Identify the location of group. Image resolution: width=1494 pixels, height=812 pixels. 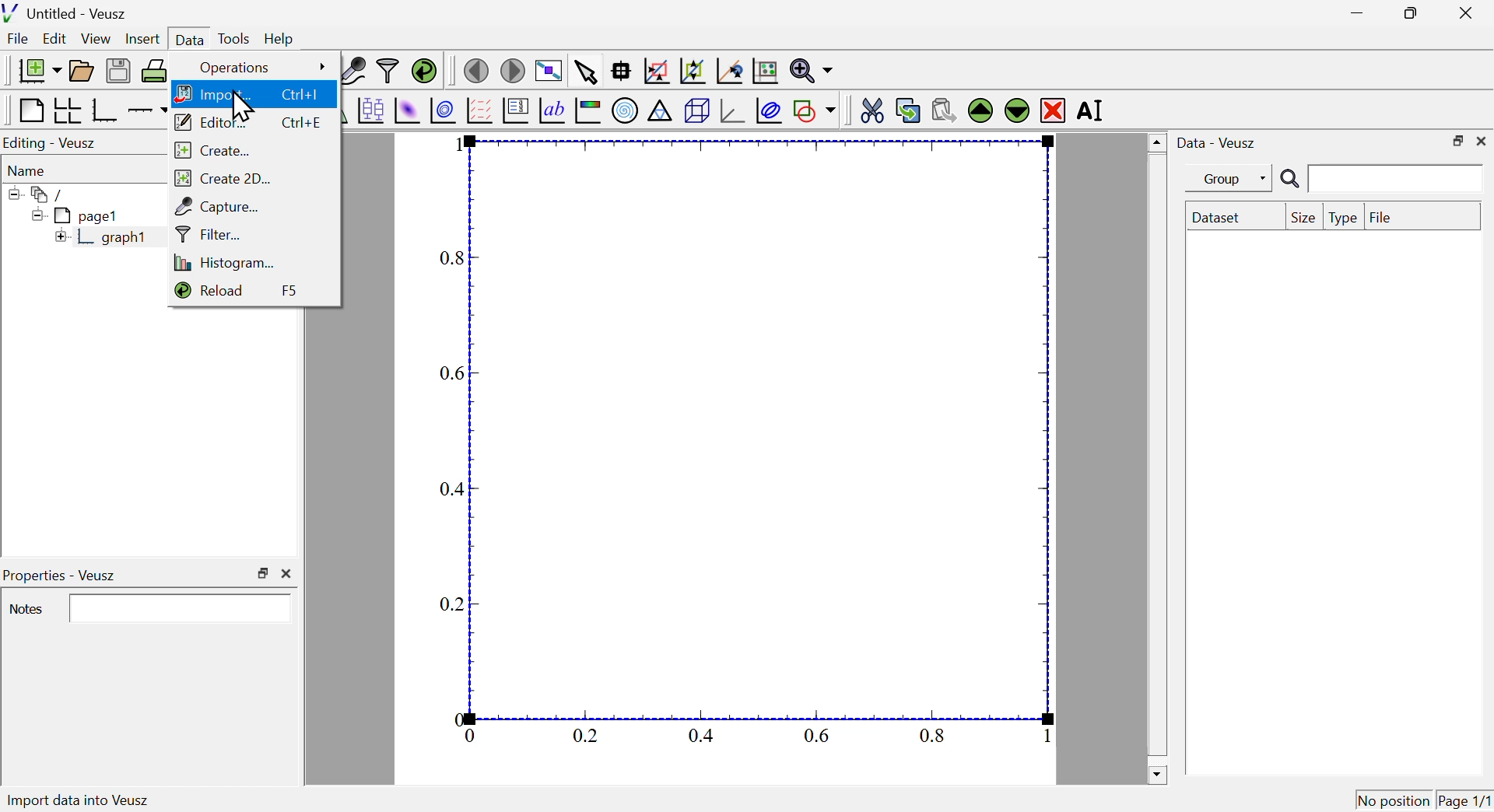
(1221, 179).